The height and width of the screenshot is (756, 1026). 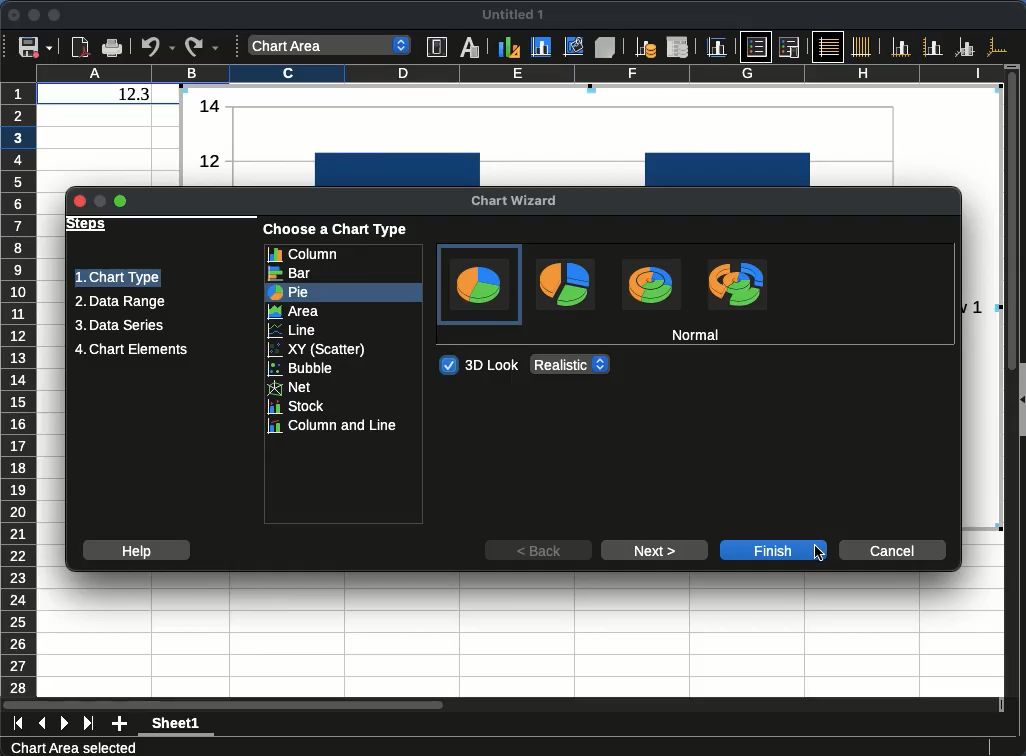 What do you see at coordinates (56, 16) in the screenshot?
I see `maximize` at bounding box center [56, 16].